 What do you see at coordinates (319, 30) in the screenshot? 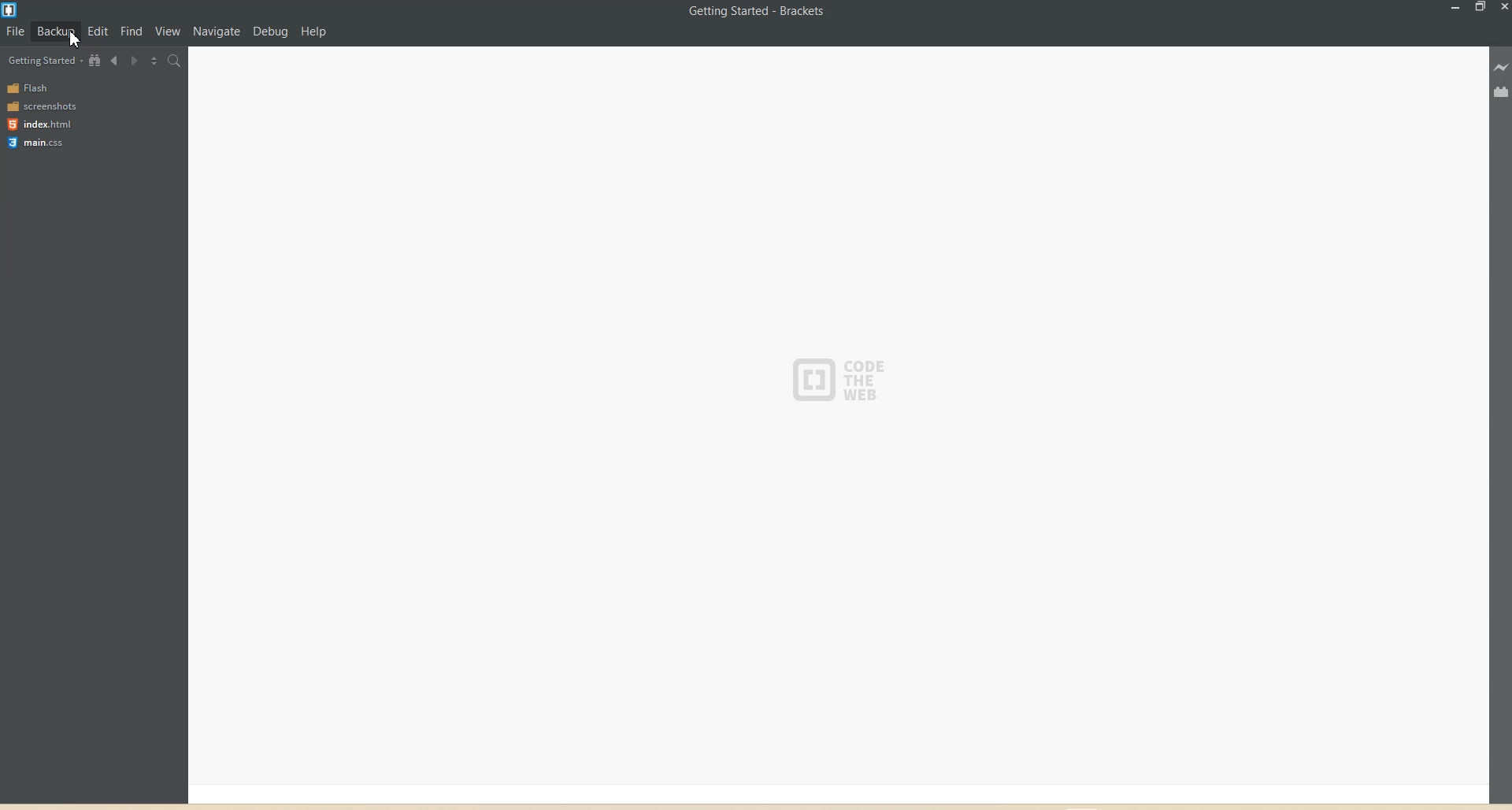
I see `Help` at bounding box center [319, 30].